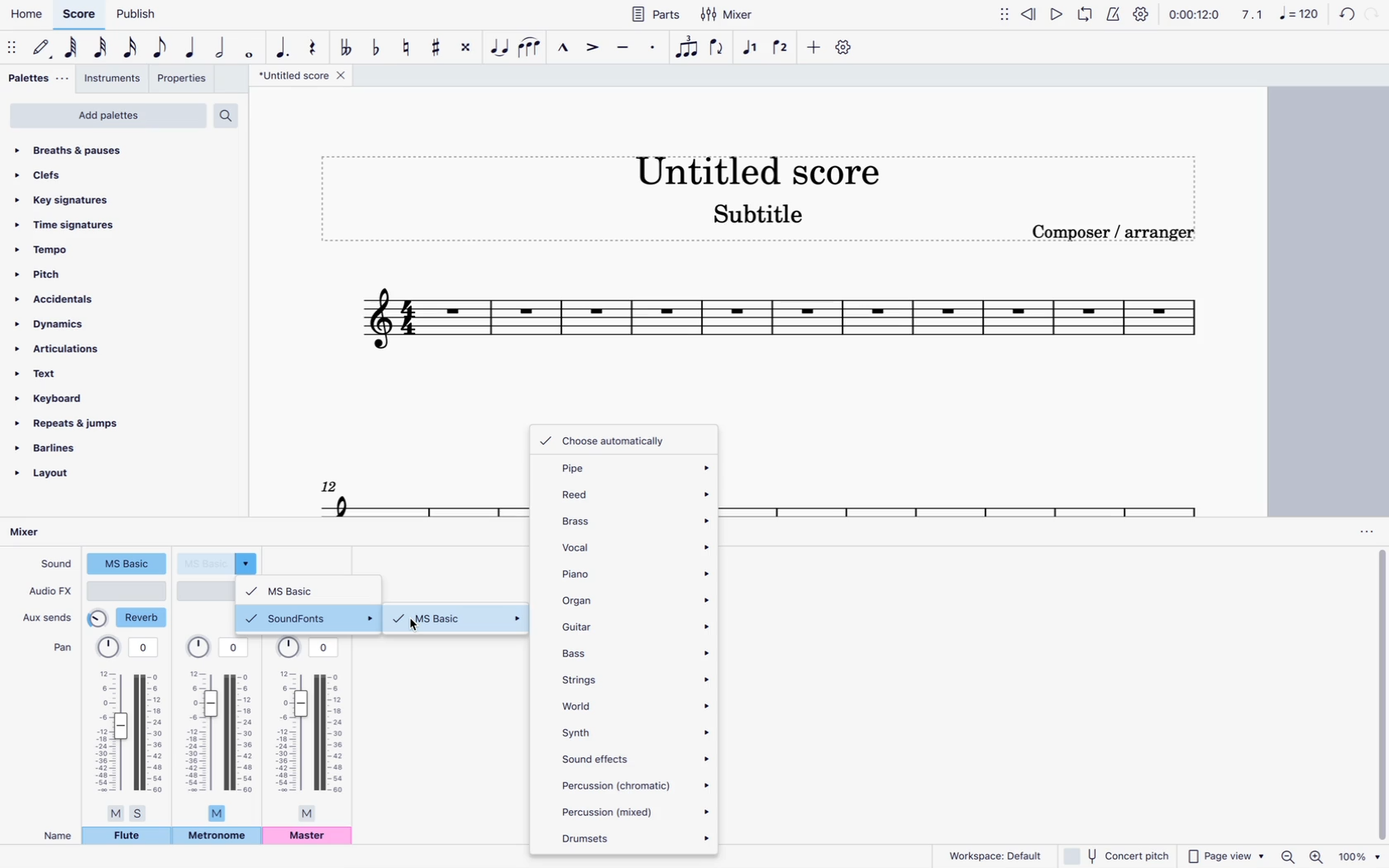 The image size is (1389, 868). Describe the element at coordinates (621, 48) in the screenshot. I see `tenuto` at that location.